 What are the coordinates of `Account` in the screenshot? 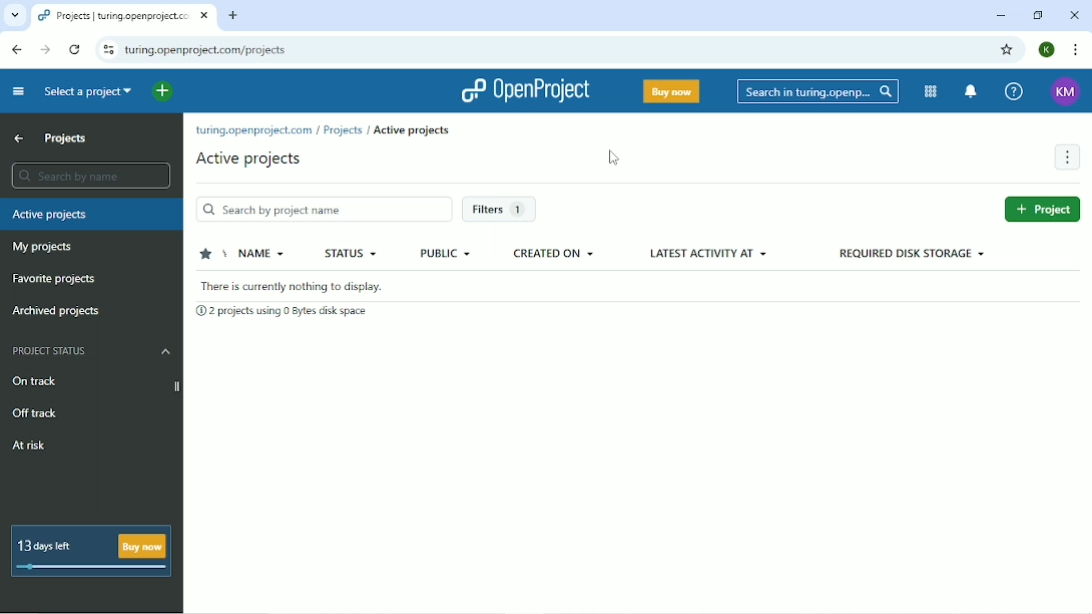 It's located at (1046, 50).